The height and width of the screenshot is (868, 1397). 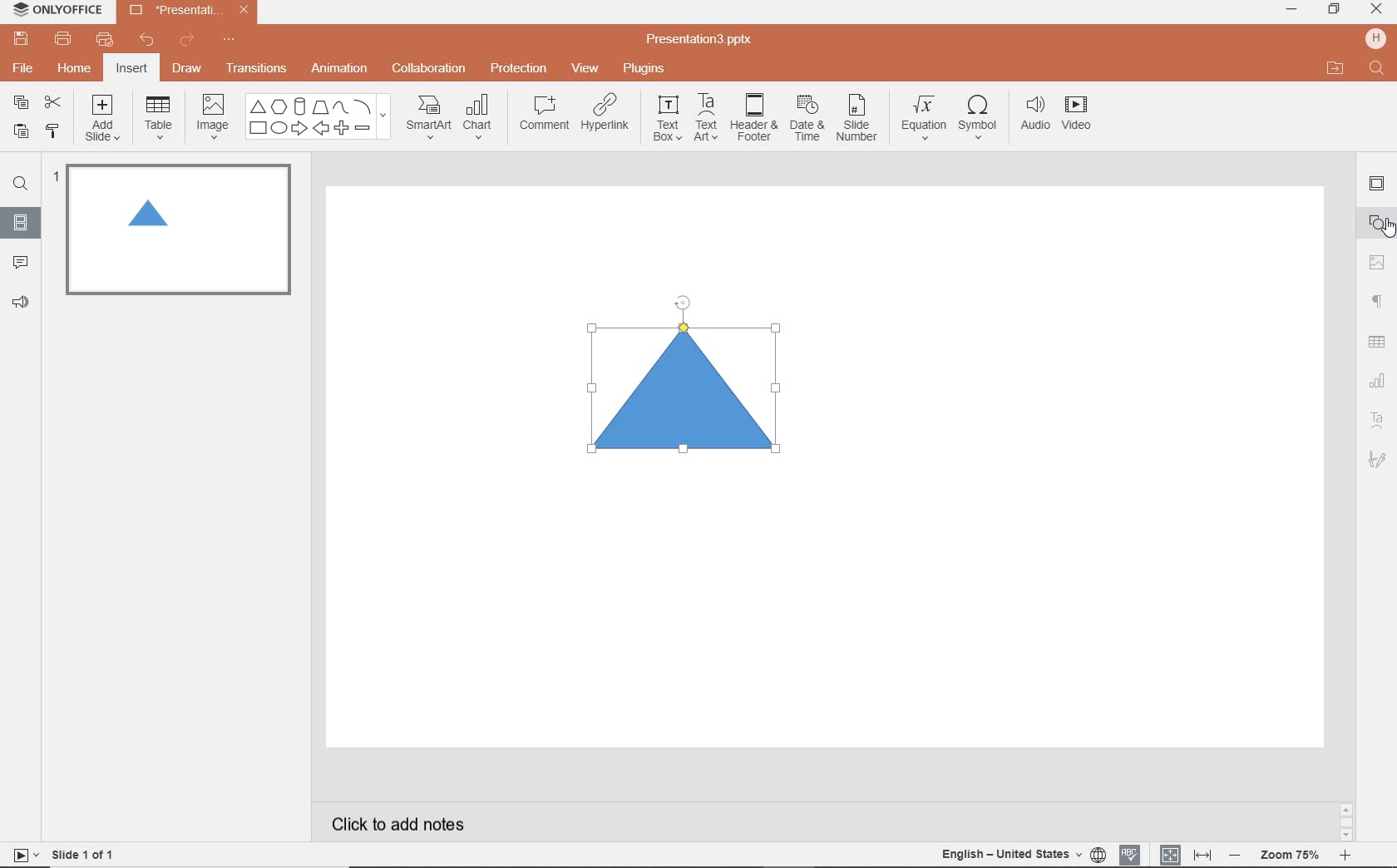 I want to click on INSERT, so click(x=131, y=70).